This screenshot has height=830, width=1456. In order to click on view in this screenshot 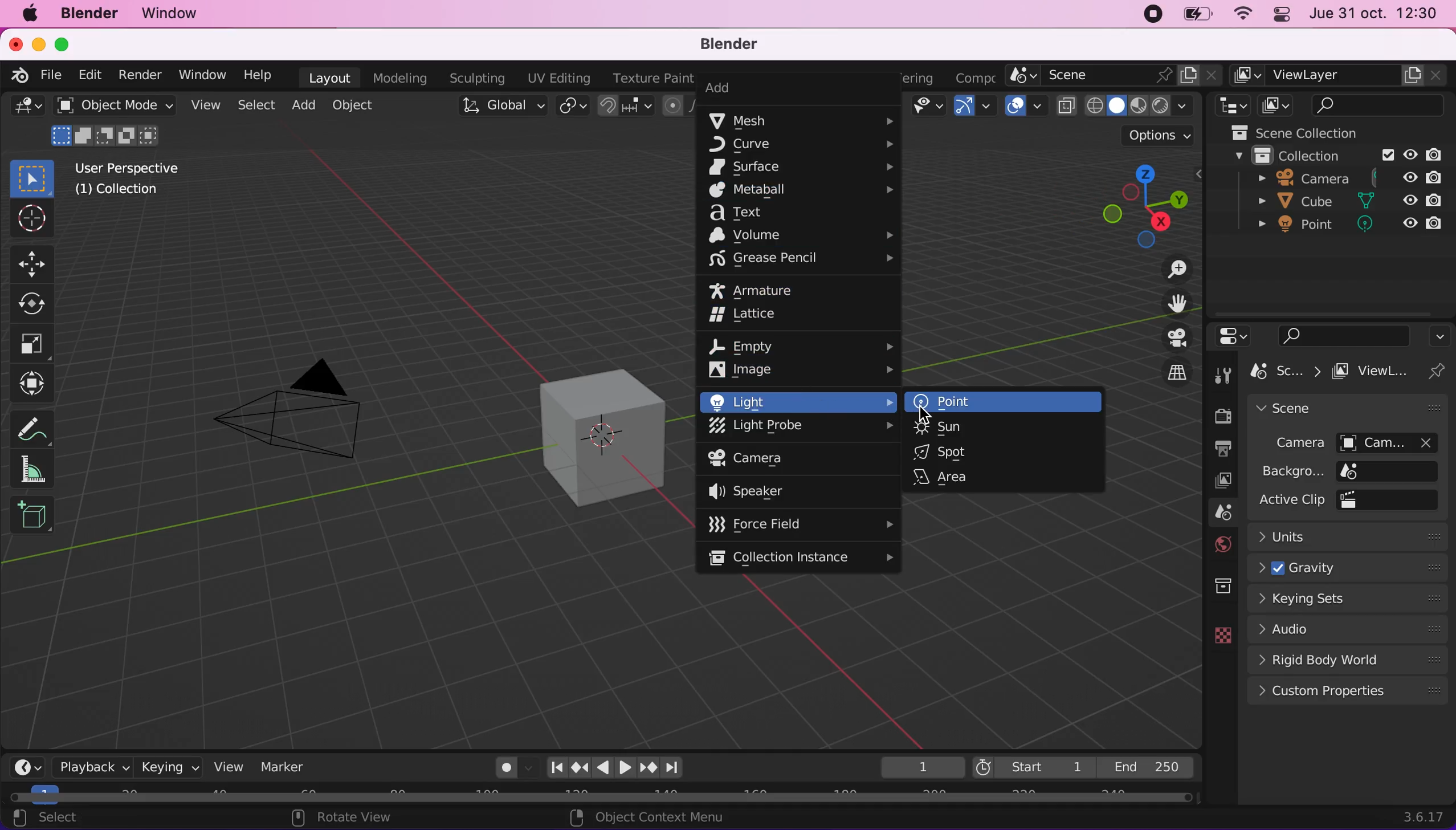, I will do `click(206, 105)`.